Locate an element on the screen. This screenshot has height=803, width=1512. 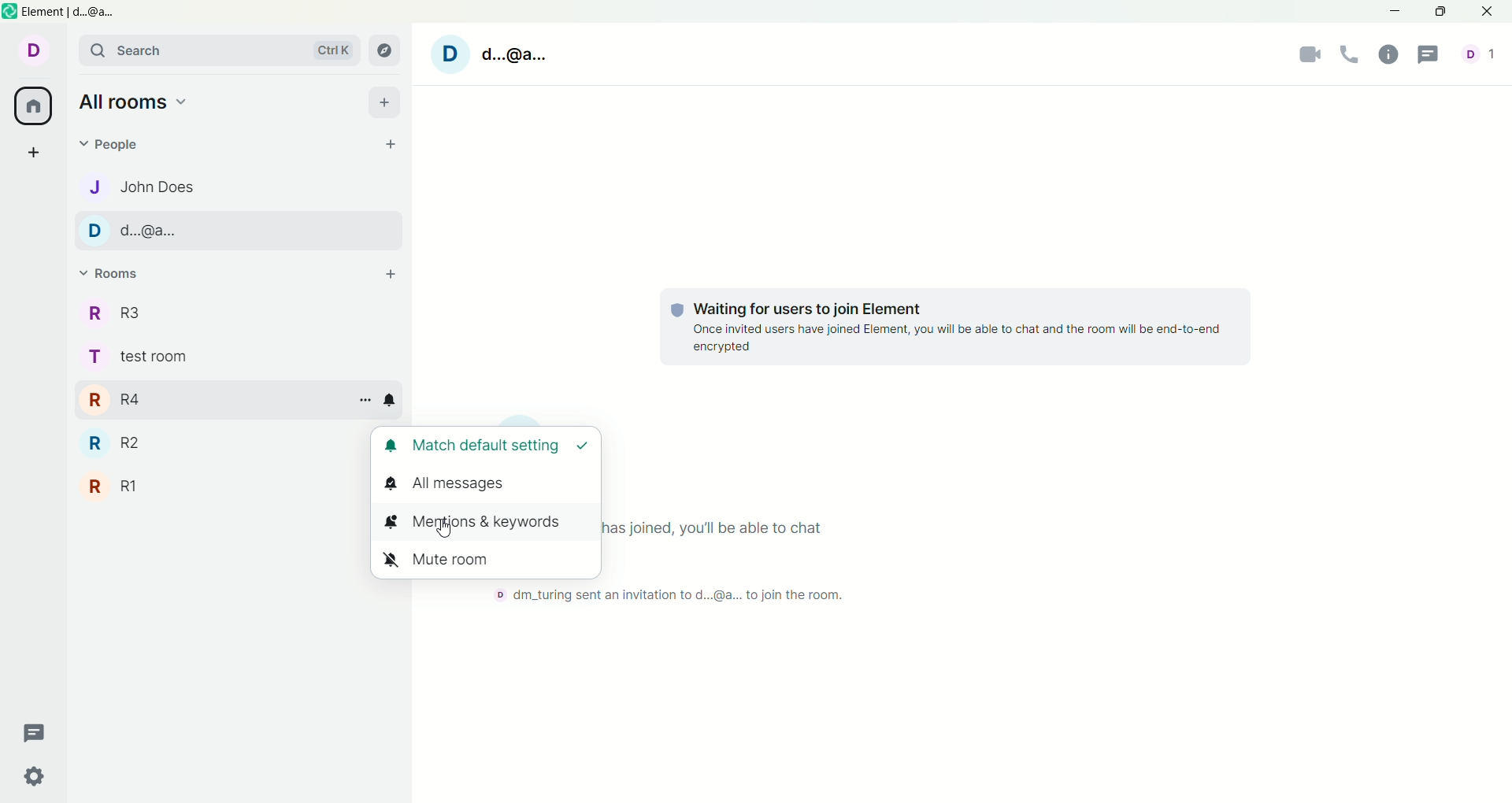
test room is located at coordinates (238, 356).